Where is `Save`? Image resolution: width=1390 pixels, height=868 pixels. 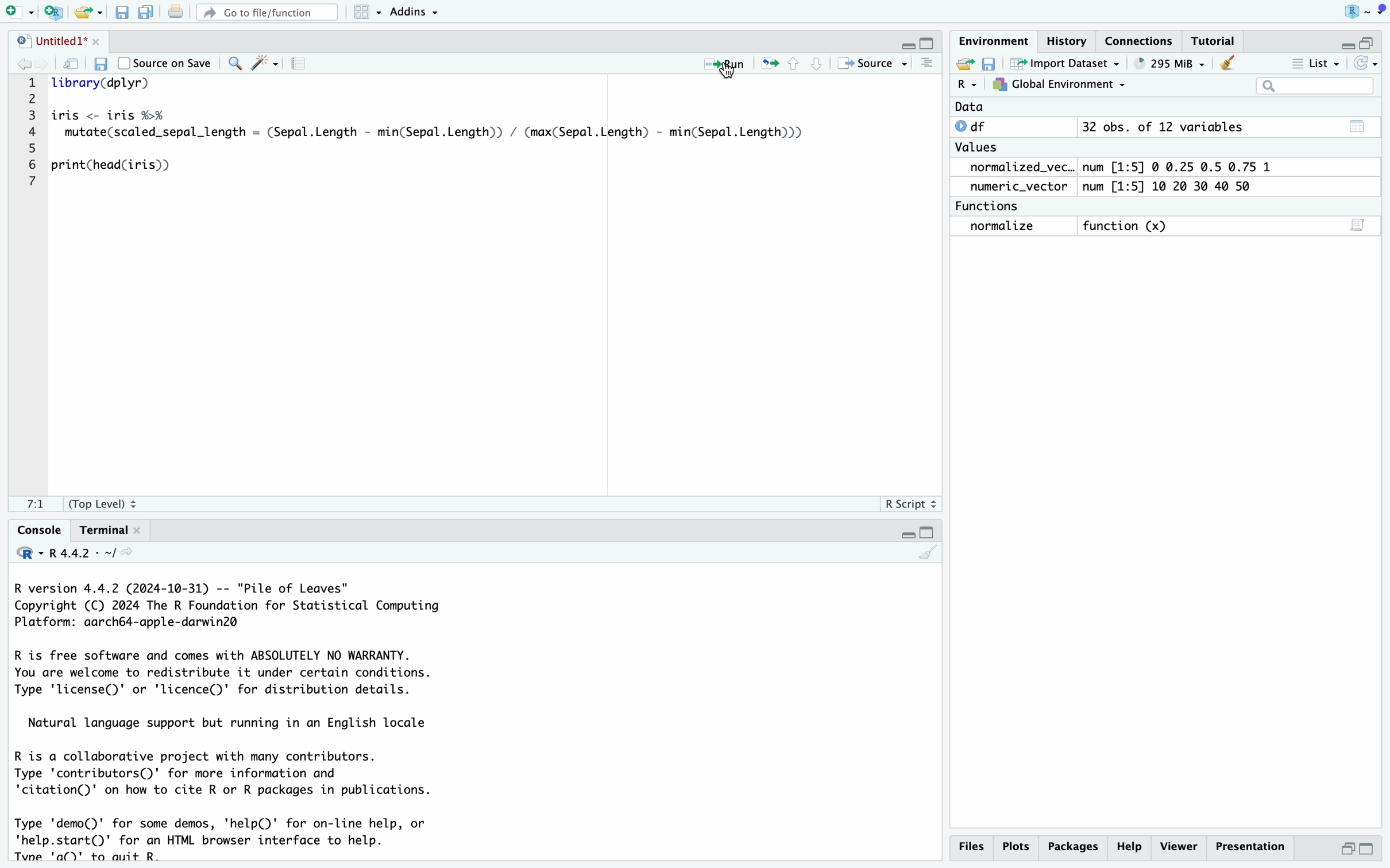
Save is located at coordinates (990, 63).